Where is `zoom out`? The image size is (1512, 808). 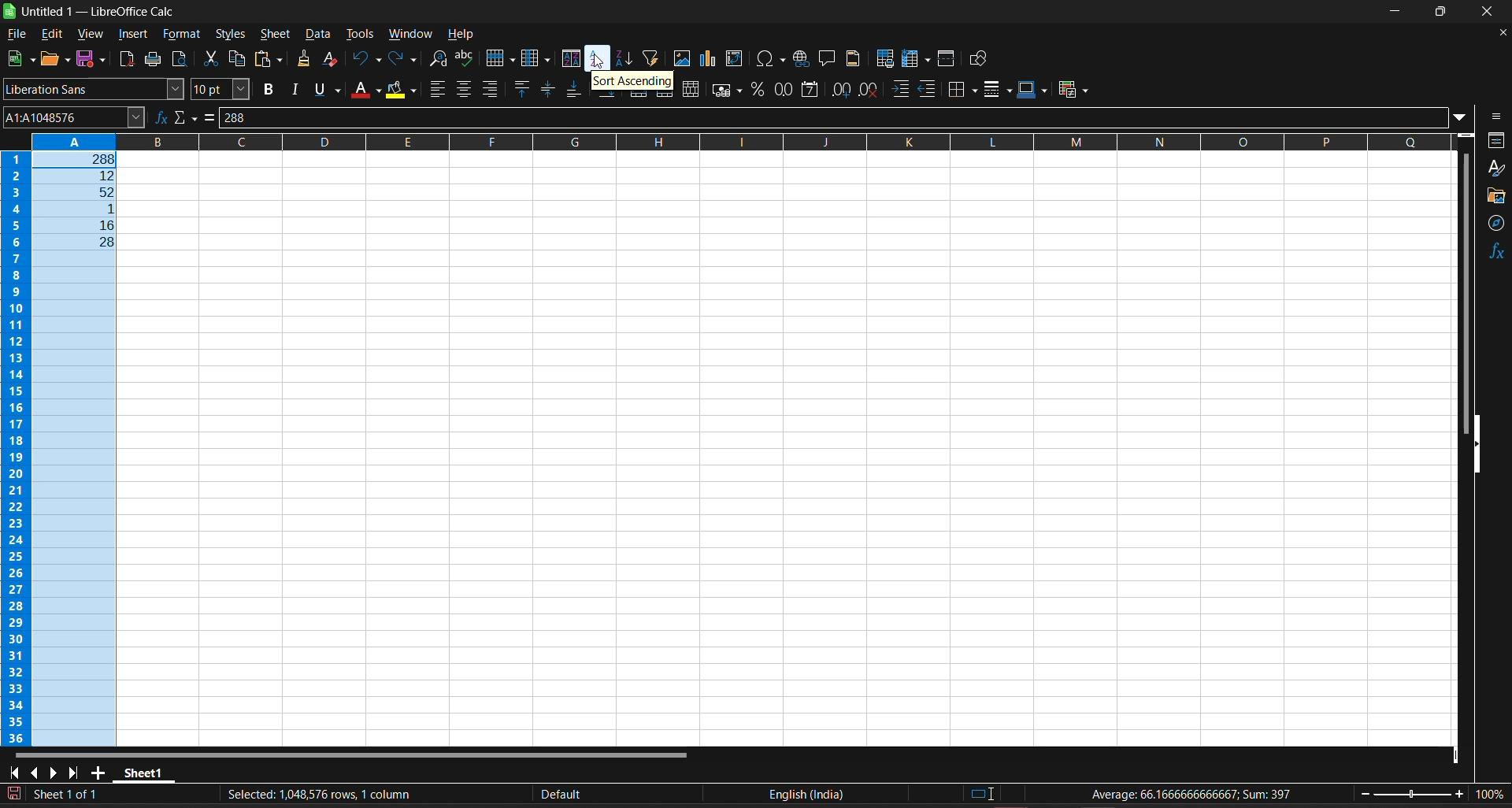 zoom out is located at coordinates (1362, 799).